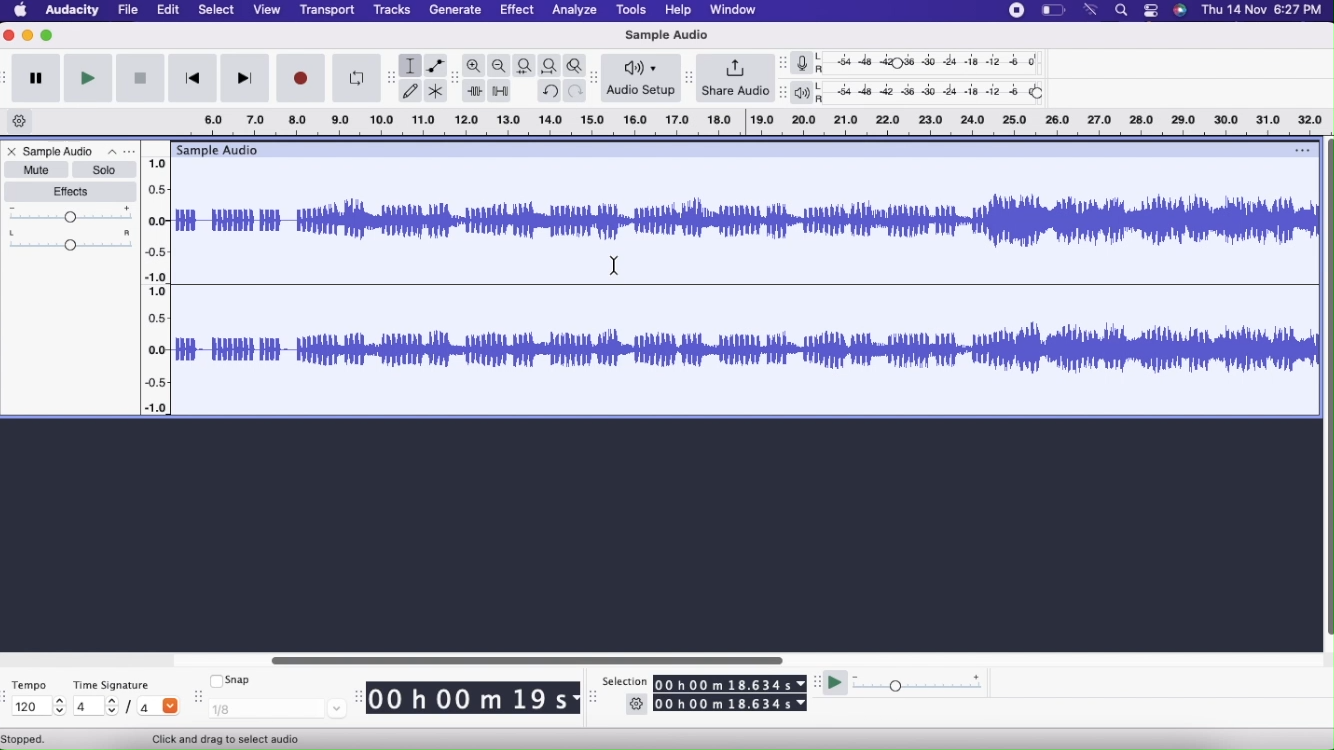 Image resolution: width=1334 pixels, height=750 pixels. Describe the element at coordinates (87, 79) in the screenshot. I see `Play` at that location.